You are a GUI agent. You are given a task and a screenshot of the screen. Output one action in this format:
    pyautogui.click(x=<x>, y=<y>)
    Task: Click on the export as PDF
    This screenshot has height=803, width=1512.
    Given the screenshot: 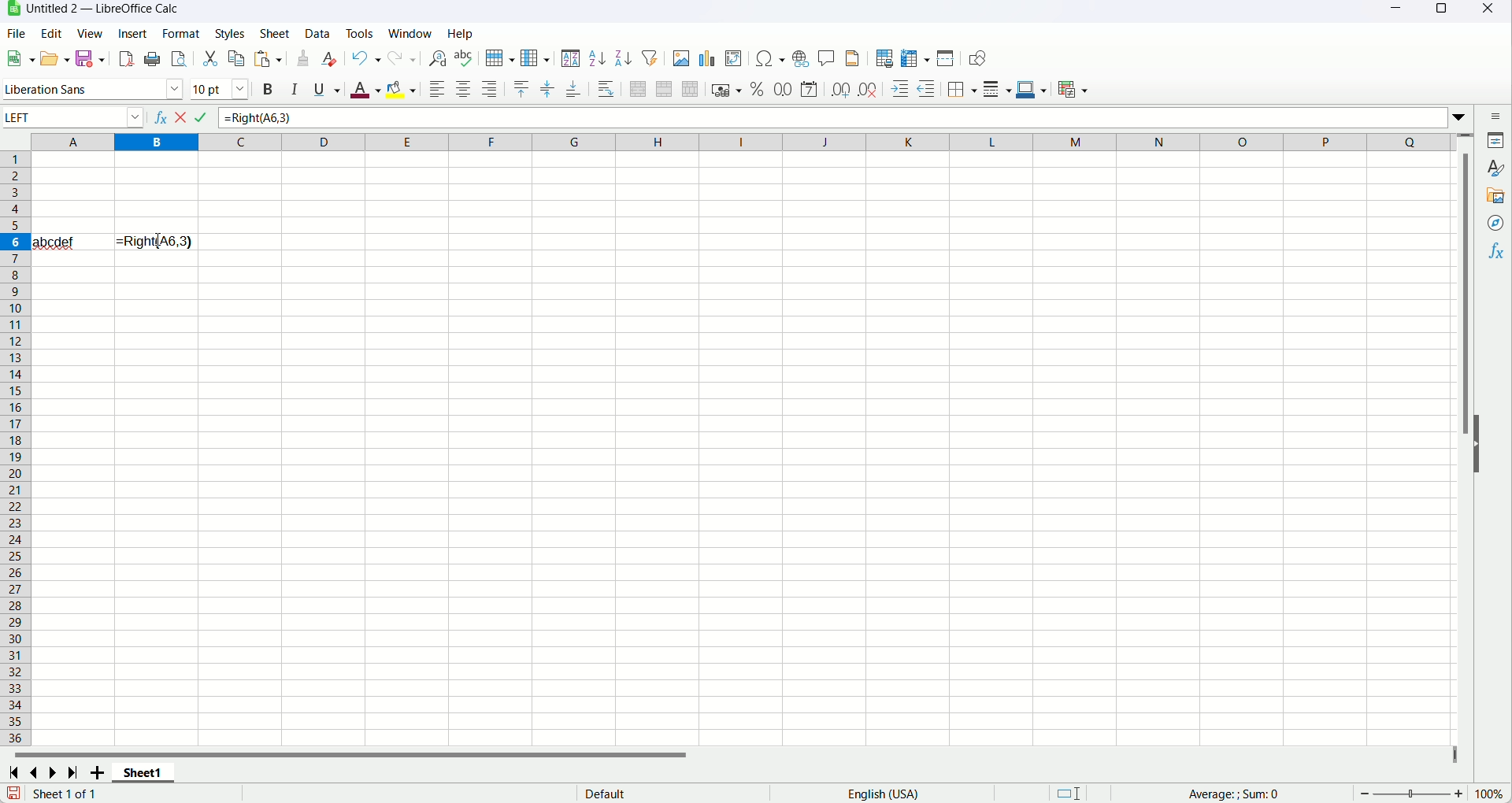 What is the action you would take?
    pyautogui.click(x=127, y=59)
    